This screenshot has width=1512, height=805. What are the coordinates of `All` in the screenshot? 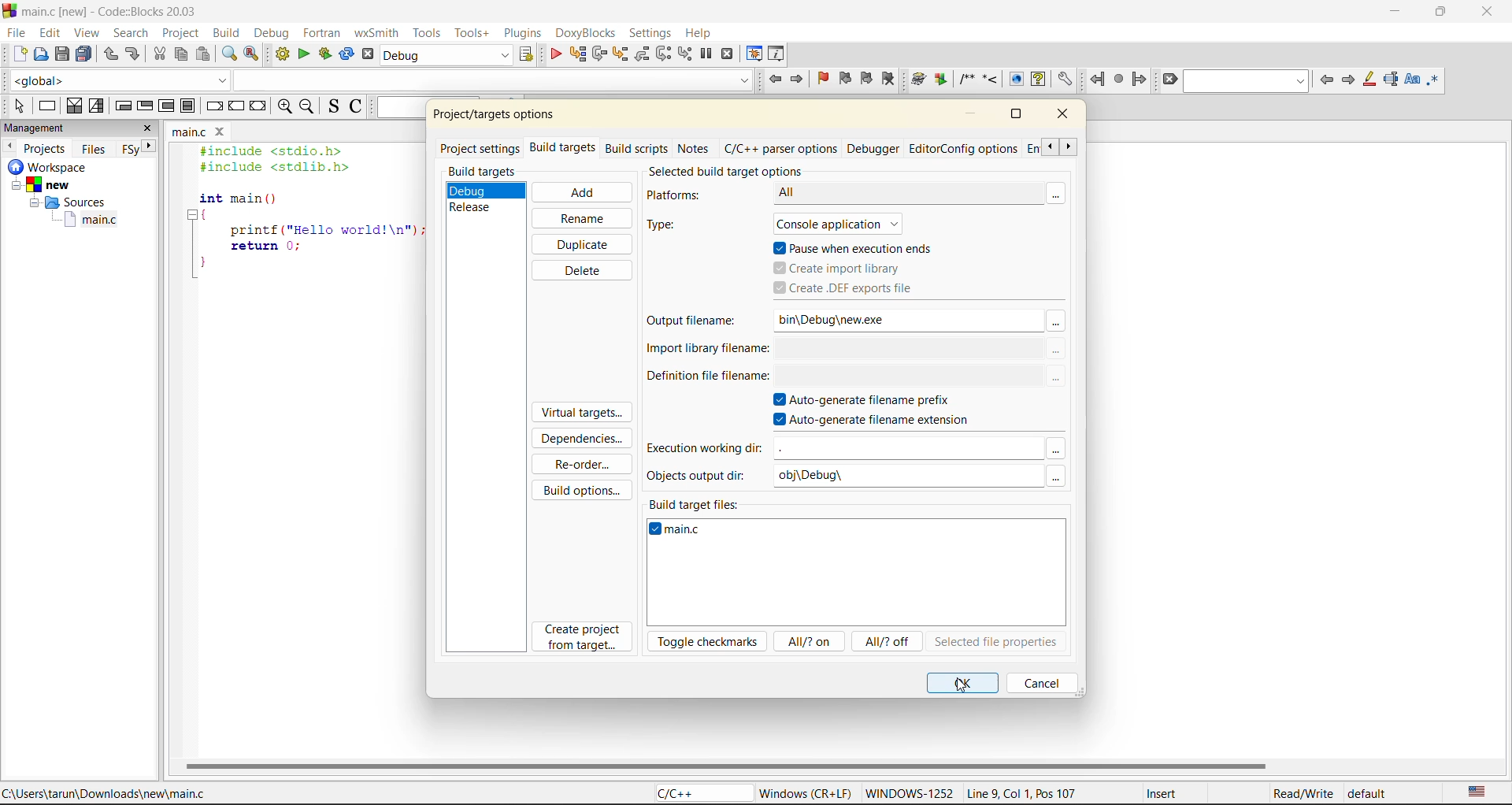 It's located at (888, 192).